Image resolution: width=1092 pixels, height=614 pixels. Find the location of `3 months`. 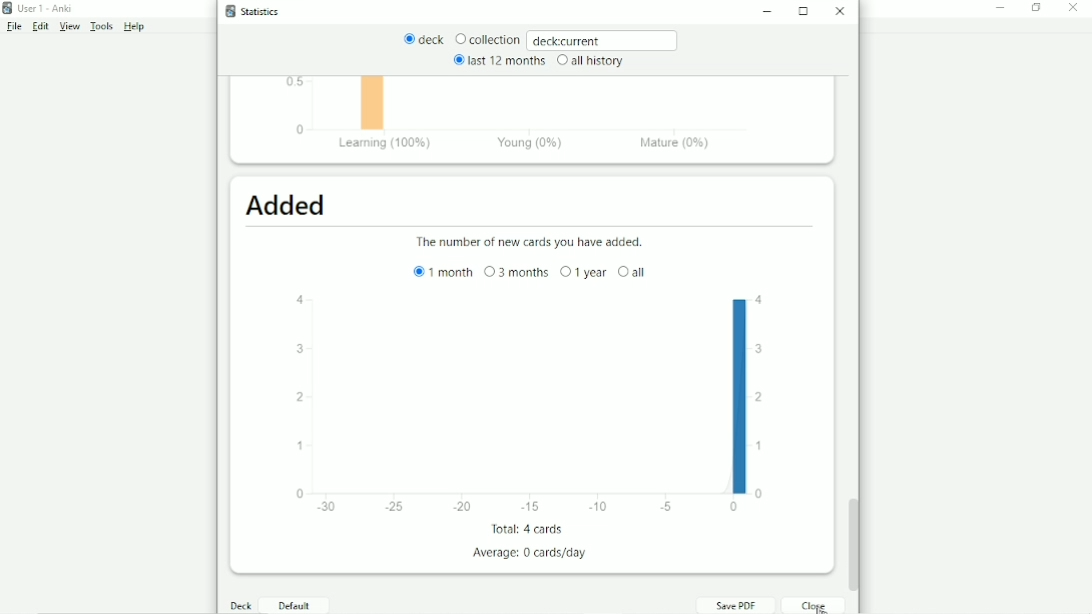

3 months is located at coordinates (516, 272).